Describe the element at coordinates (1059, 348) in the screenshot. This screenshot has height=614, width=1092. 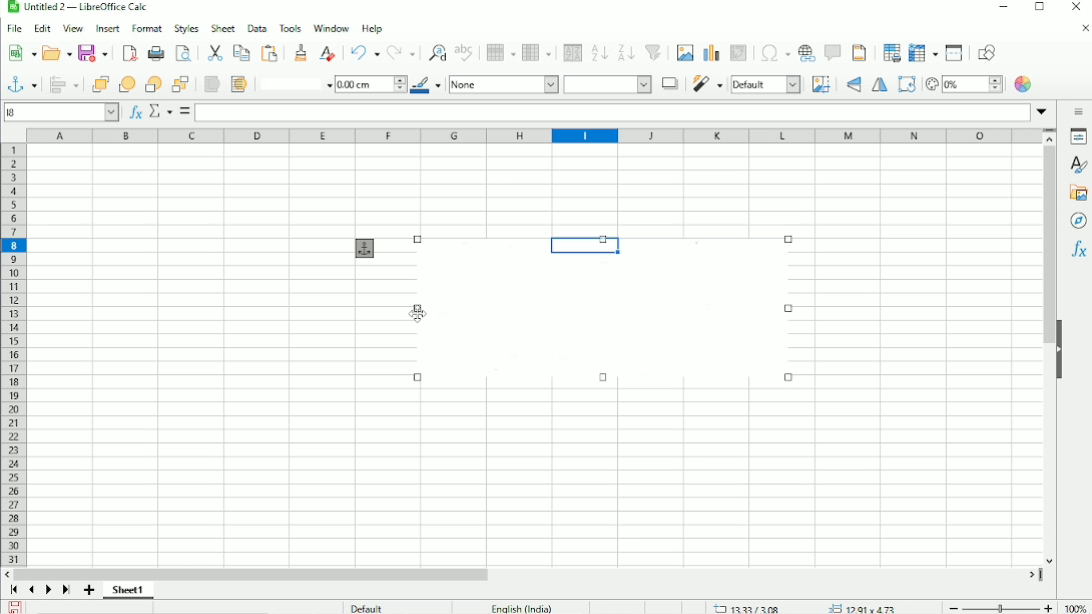
I see `Show` at that location.